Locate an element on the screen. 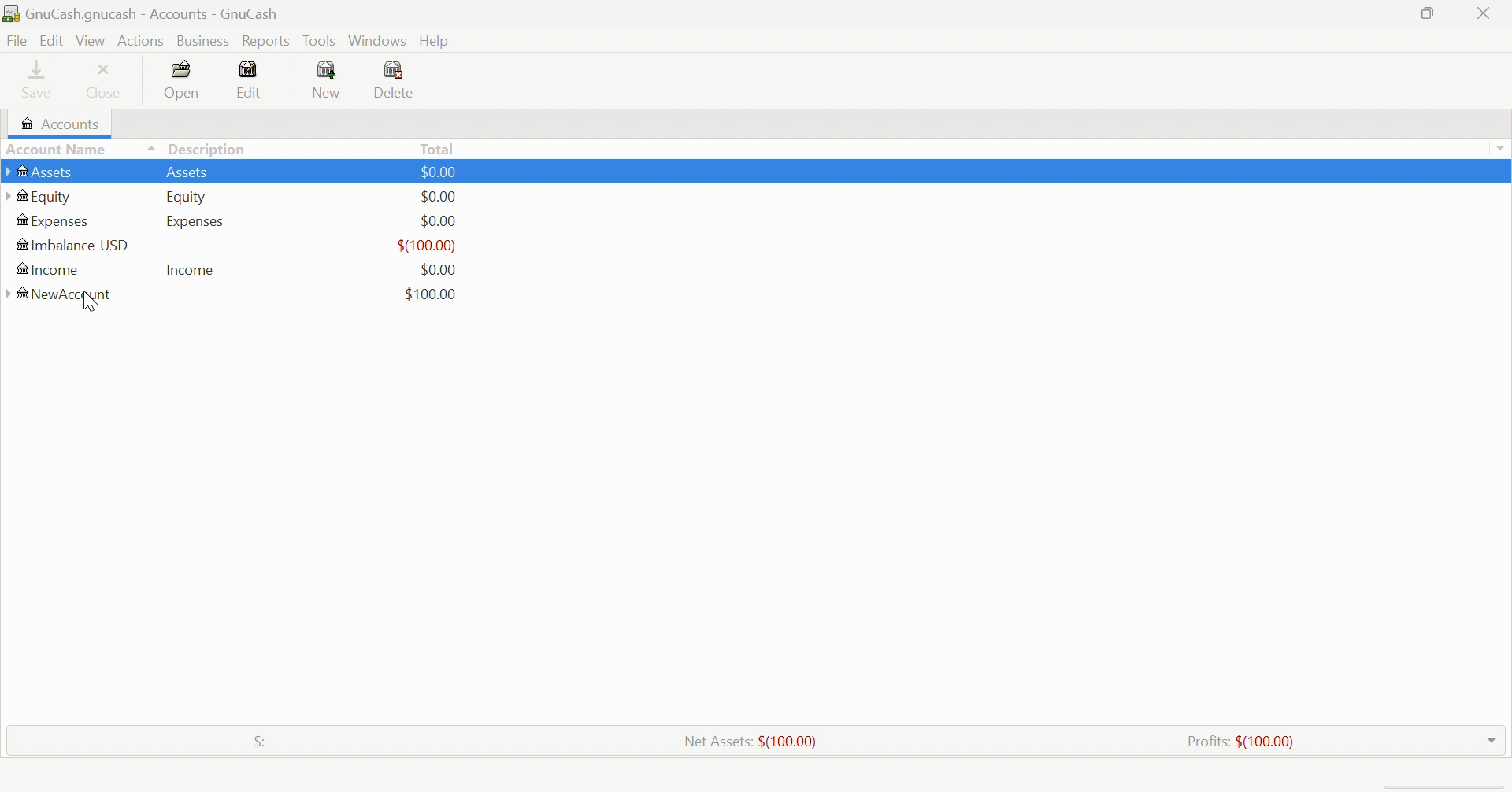  Net Assets: $(100.00) is located at coordinates (753, 742).